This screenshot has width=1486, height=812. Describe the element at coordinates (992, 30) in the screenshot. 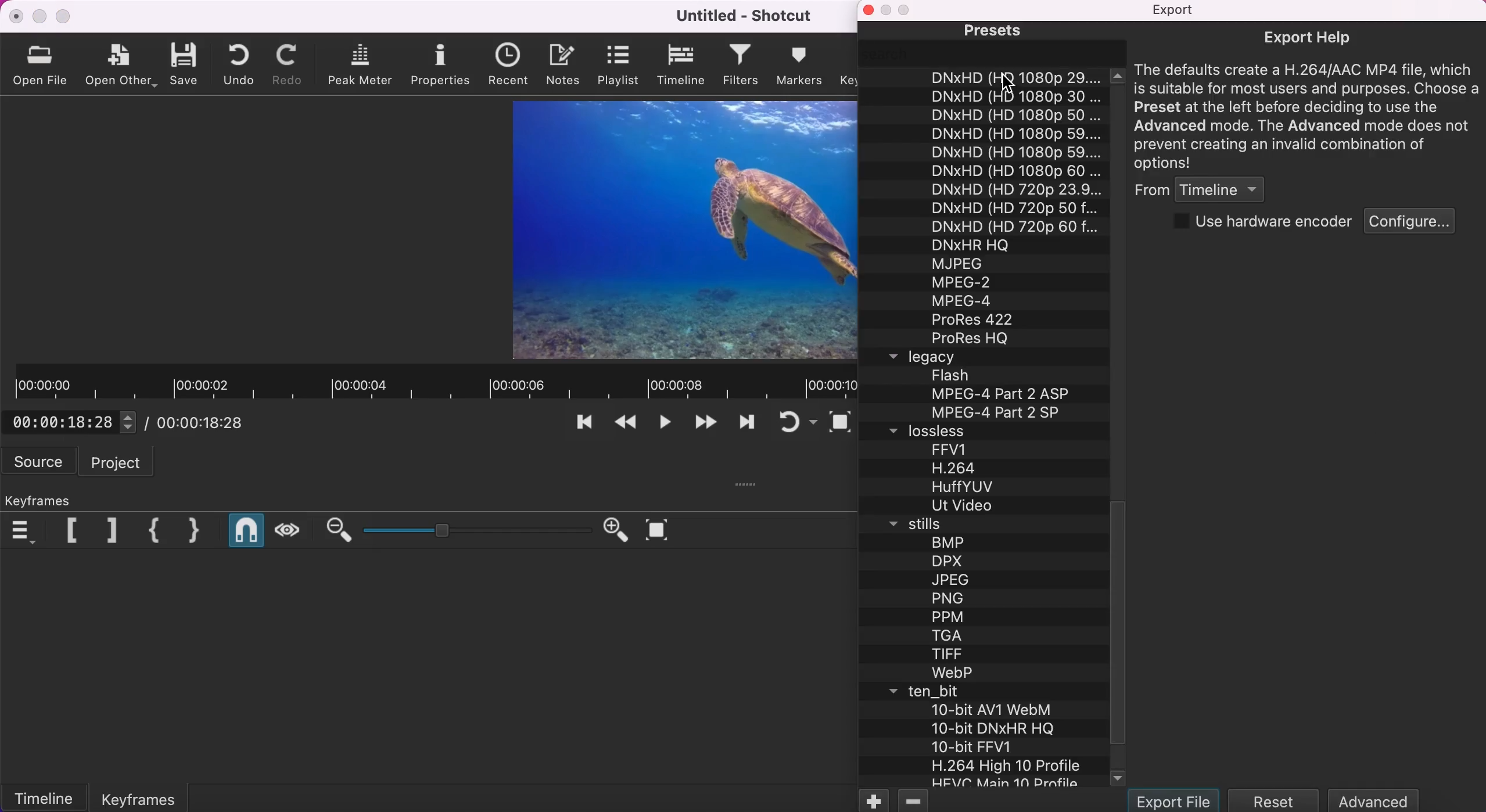

I see `presets` at that location.